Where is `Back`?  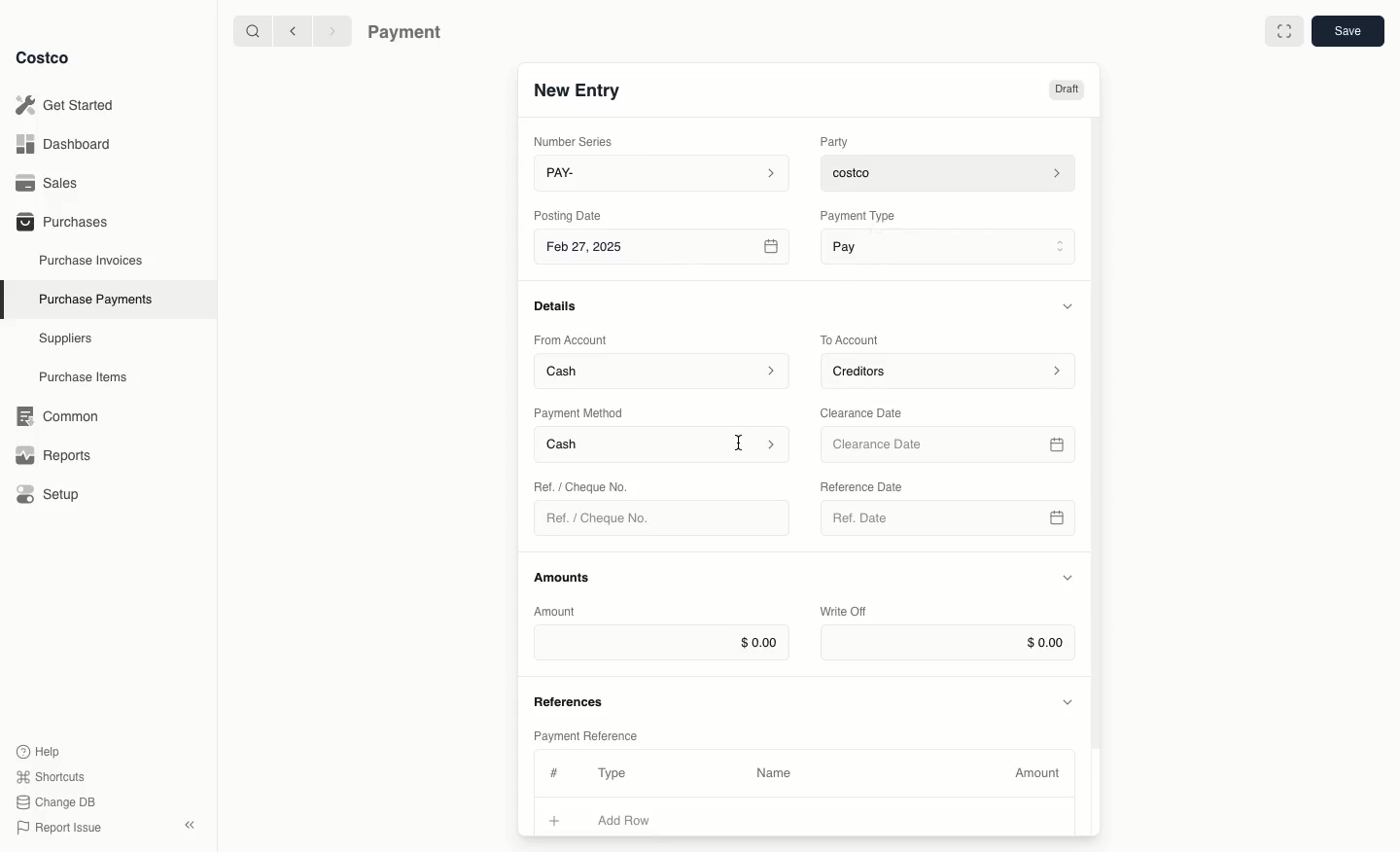 Back is located at coordinates (293, 30).